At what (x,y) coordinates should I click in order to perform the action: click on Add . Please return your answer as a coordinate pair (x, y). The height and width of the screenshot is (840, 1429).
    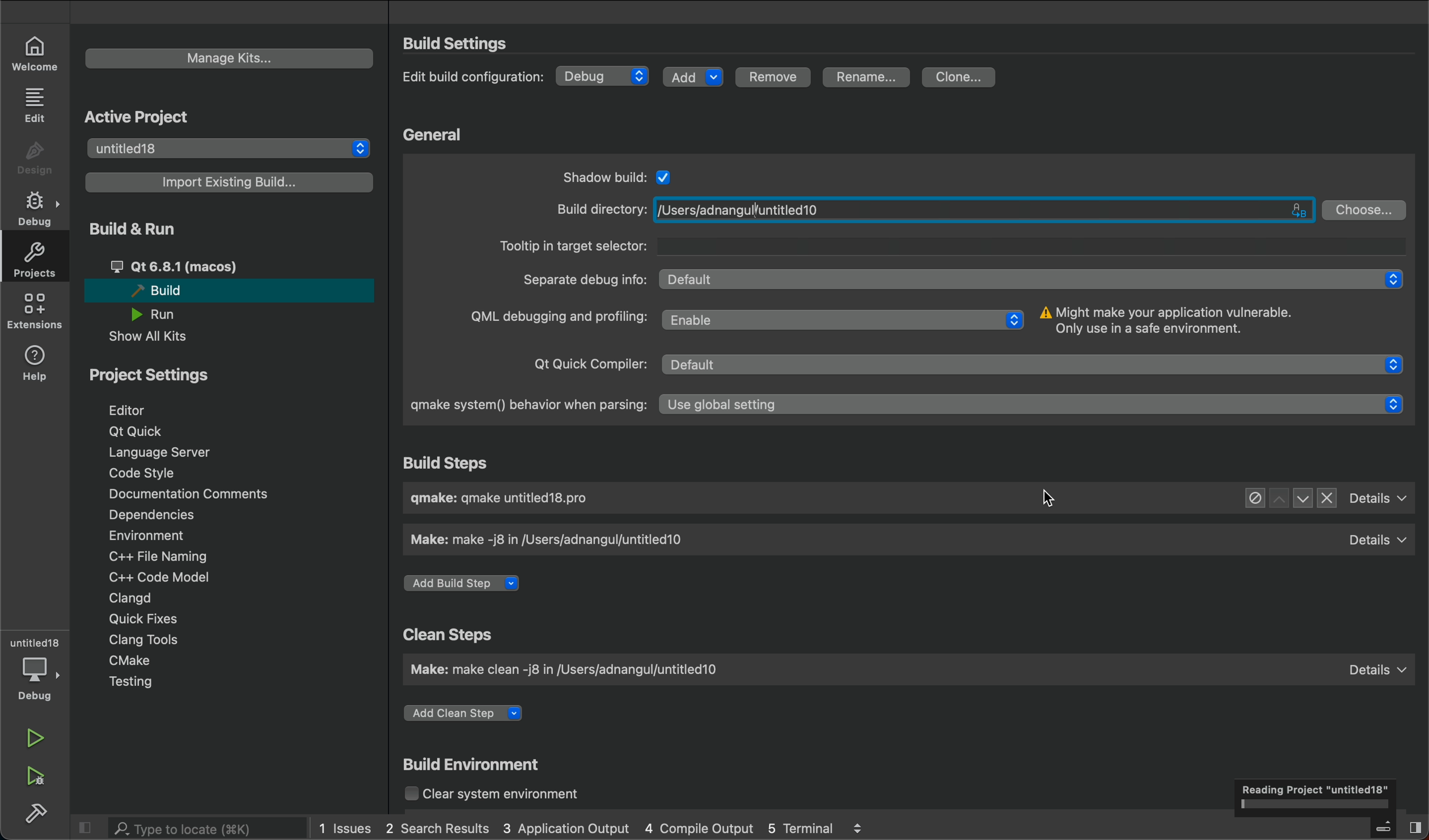
    Looking at the image, I should click on (694, 75).